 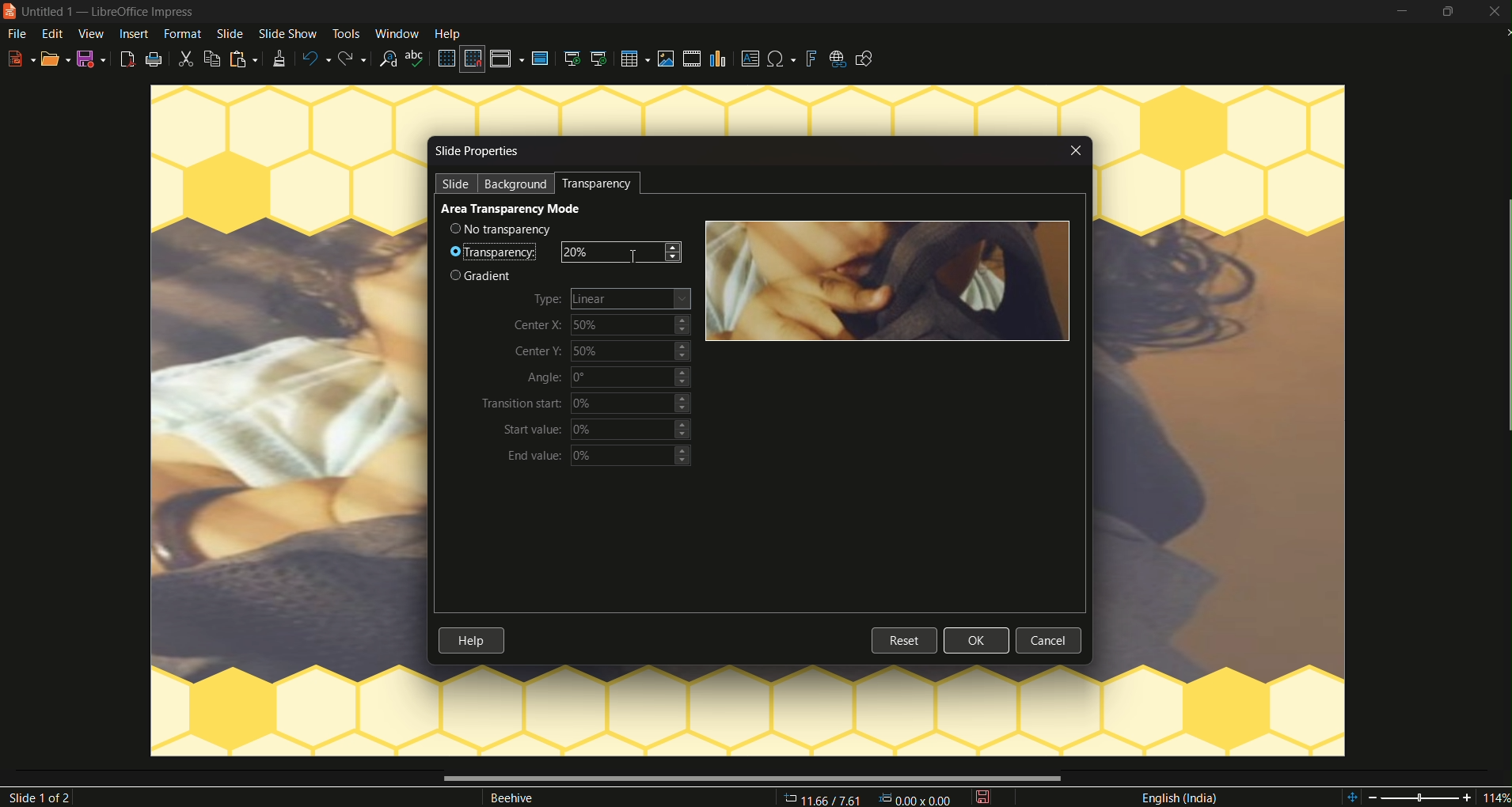 I want to click on clone formatting, so click(x=277, y=59).